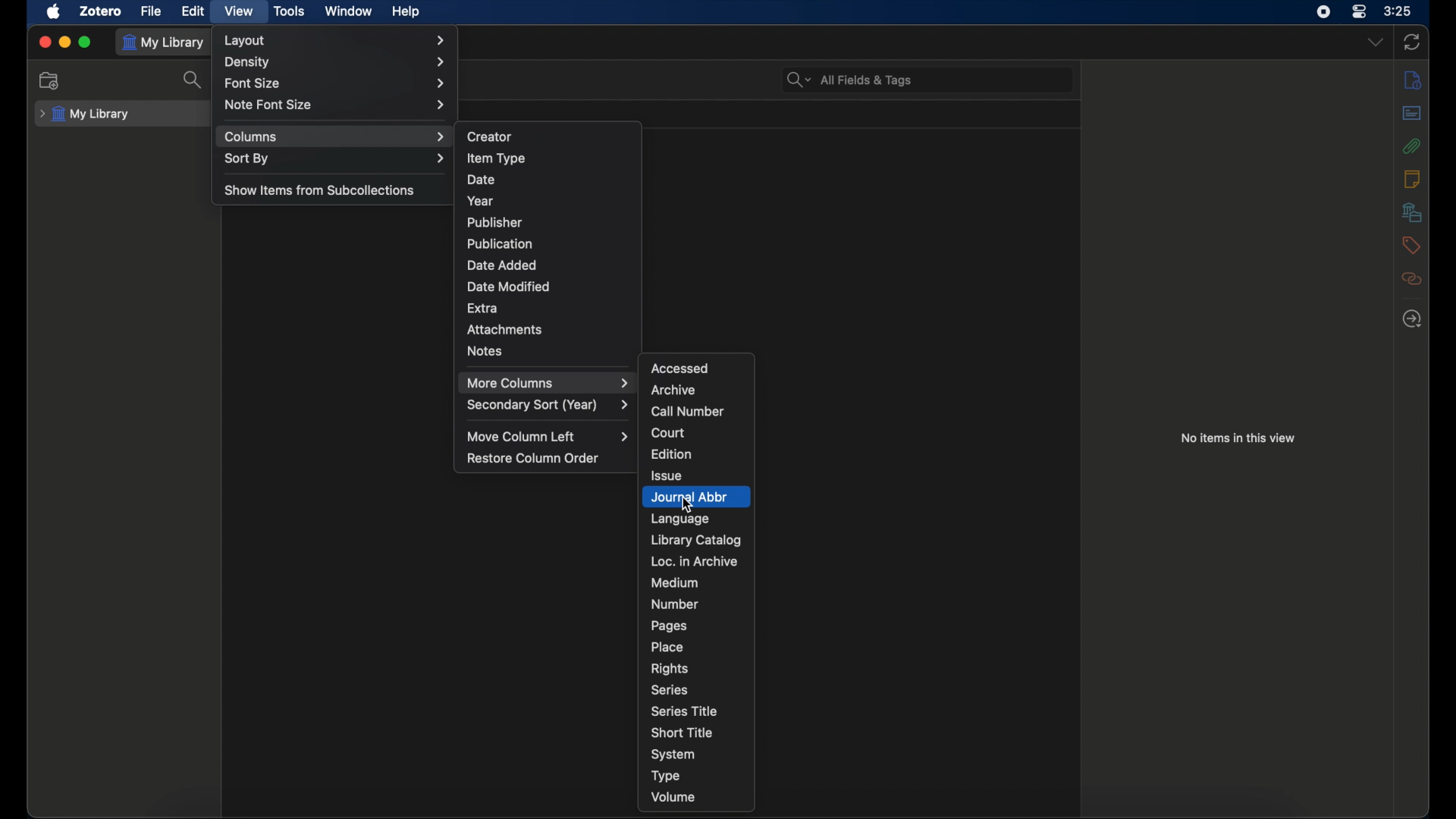 The width and height of the screenshot is (1456, 819). Describe the element at coordinates (548, 383) in the screenshot. I see `more columns` at that location.